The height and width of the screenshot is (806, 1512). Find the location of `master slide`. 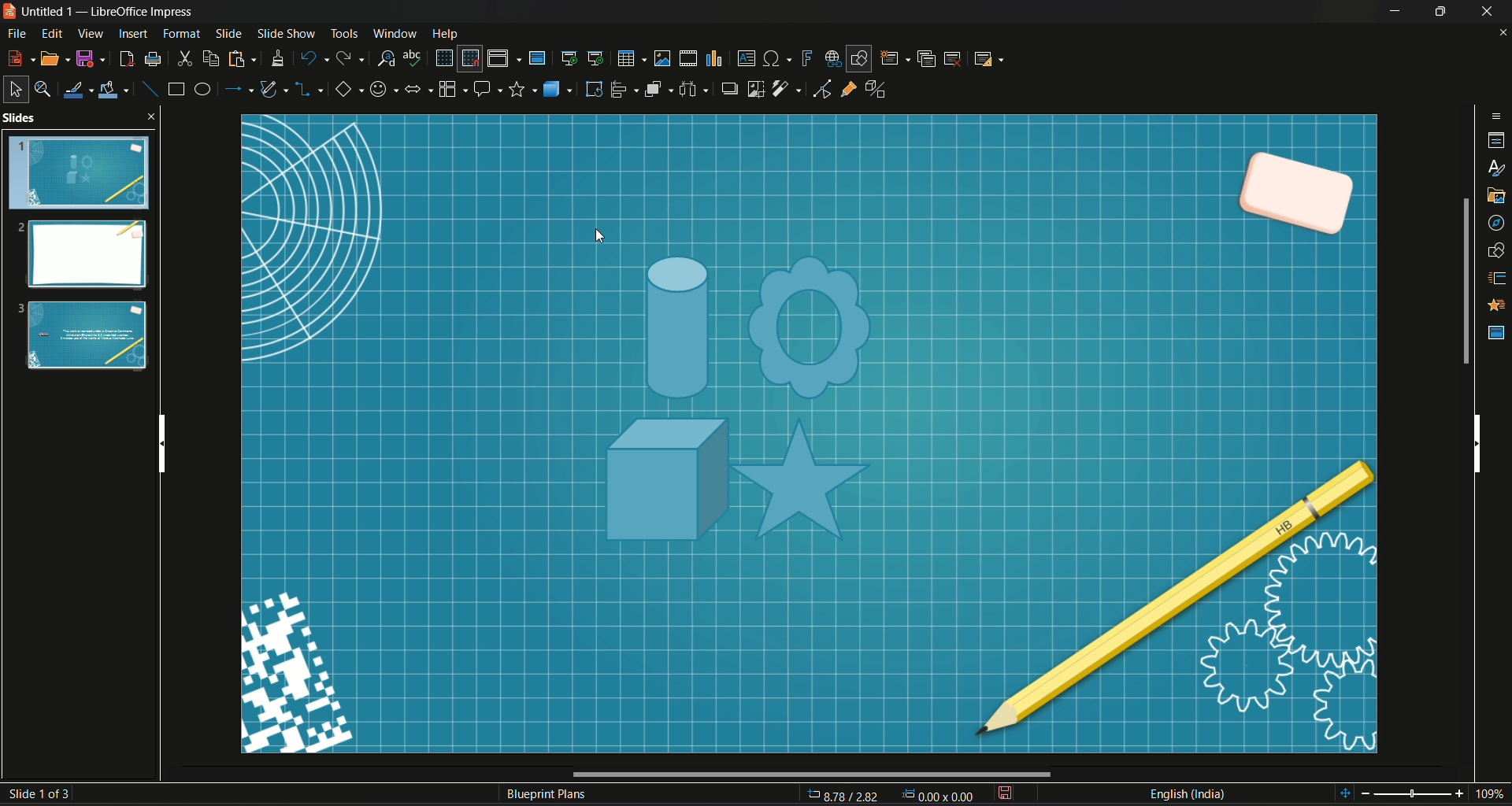

master slide is located at coordinates (1497, 333).